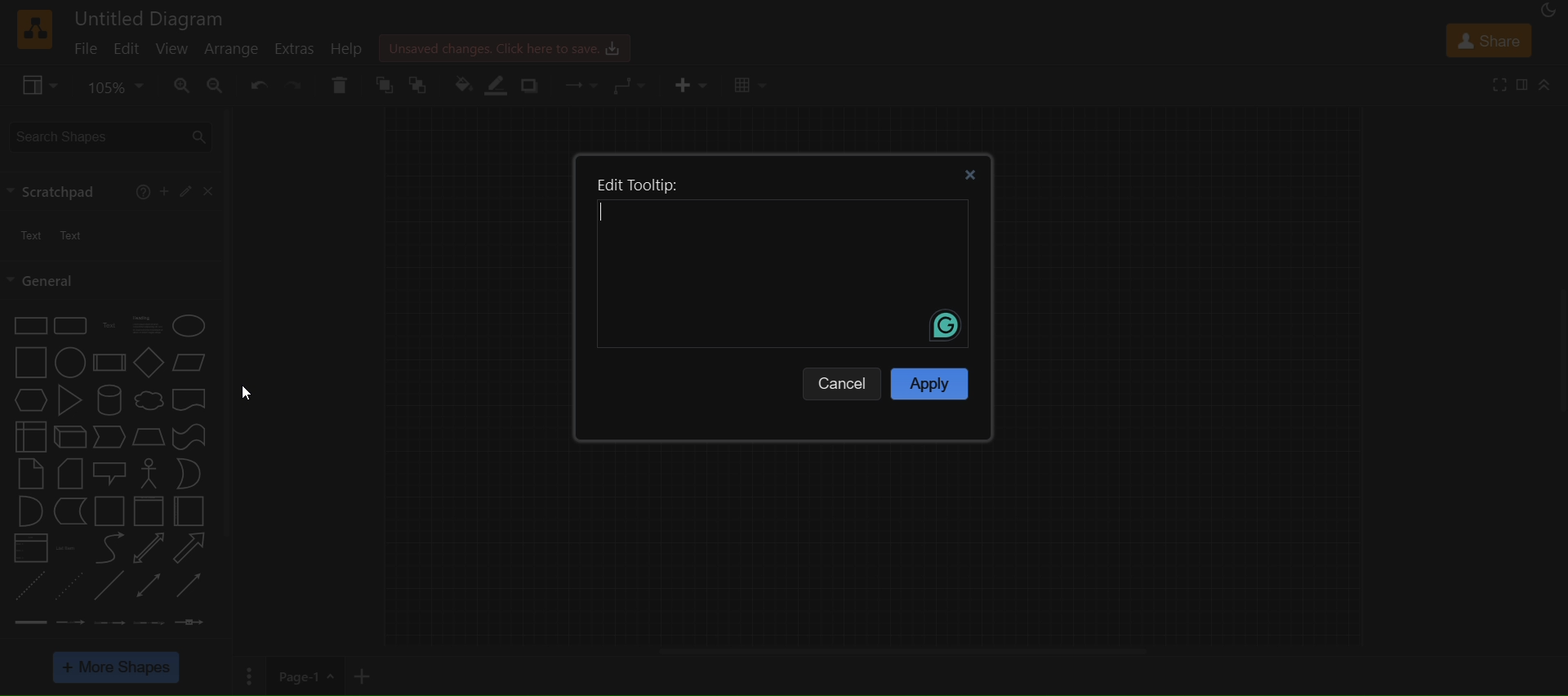 Image resolution: width=1568 pixels, height=696 pixels. Describe the element at coordinates (295, 49) in the screenshot. I see `extras` at that location.